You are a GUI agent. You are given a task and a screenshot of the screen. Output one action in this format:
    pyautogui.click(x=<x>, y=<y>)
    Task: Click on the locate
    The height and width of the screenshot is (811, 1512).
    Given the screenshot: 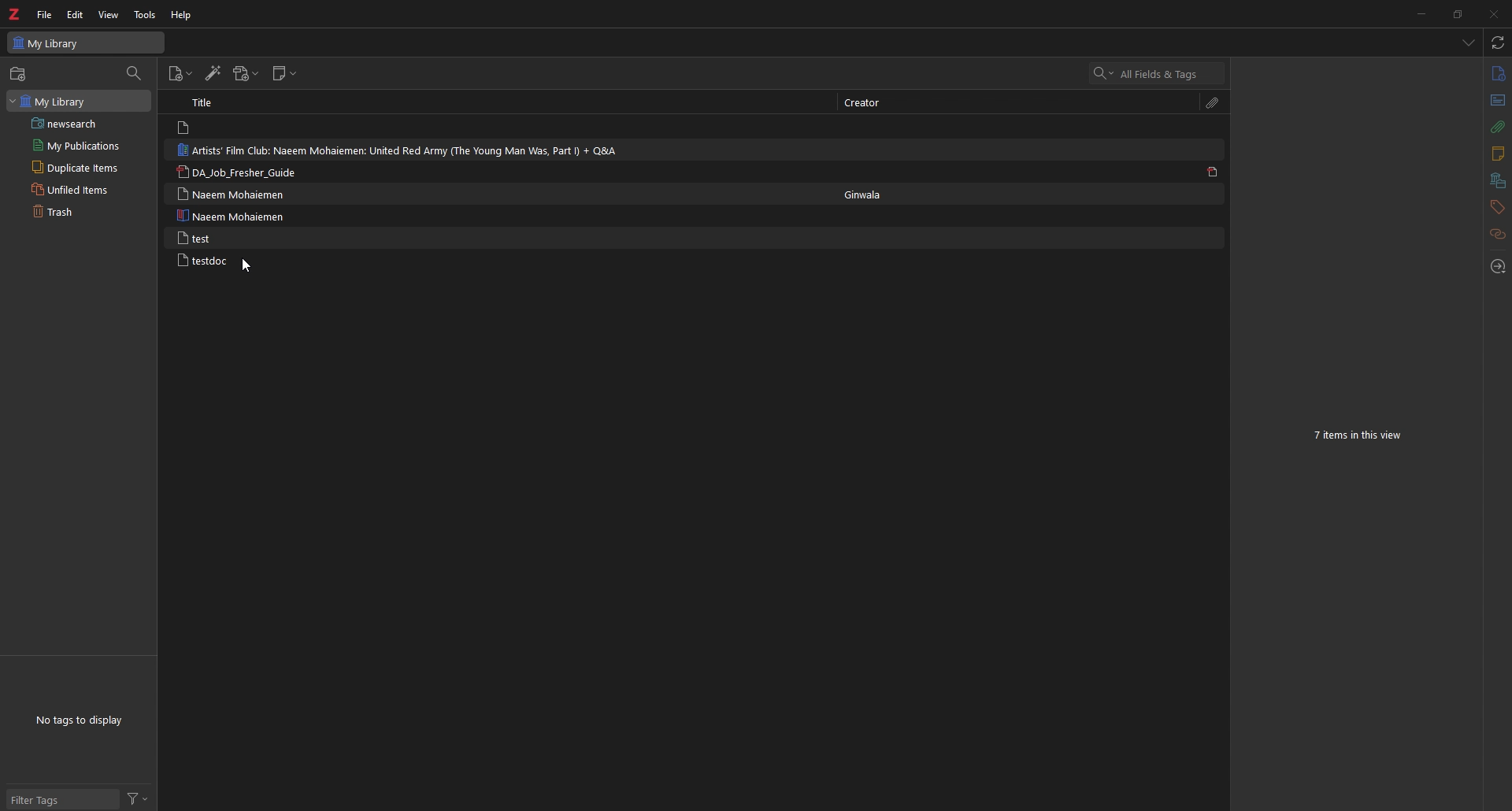 What is the action you would take?
    pyautogui.click(x=1497, y=267)
    